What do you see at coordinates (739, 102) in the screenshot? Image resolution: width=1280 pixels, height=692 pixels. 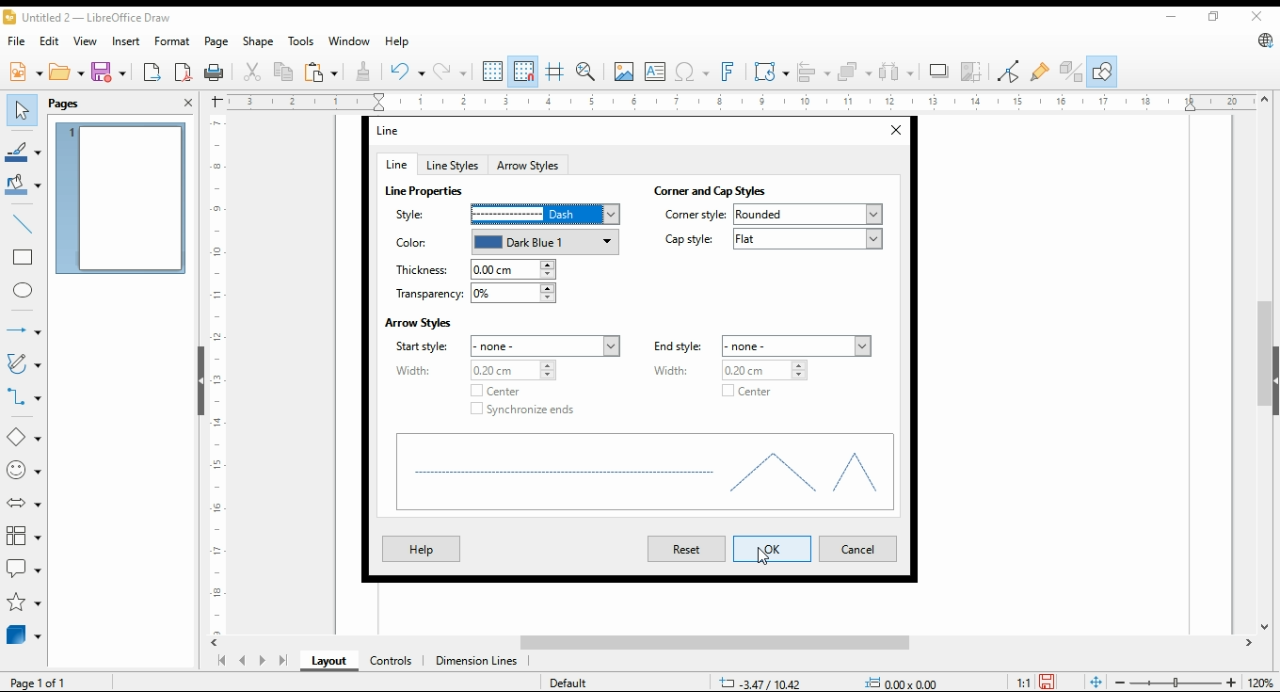 I see `horizontal scale` at bounding box center [739, 102].